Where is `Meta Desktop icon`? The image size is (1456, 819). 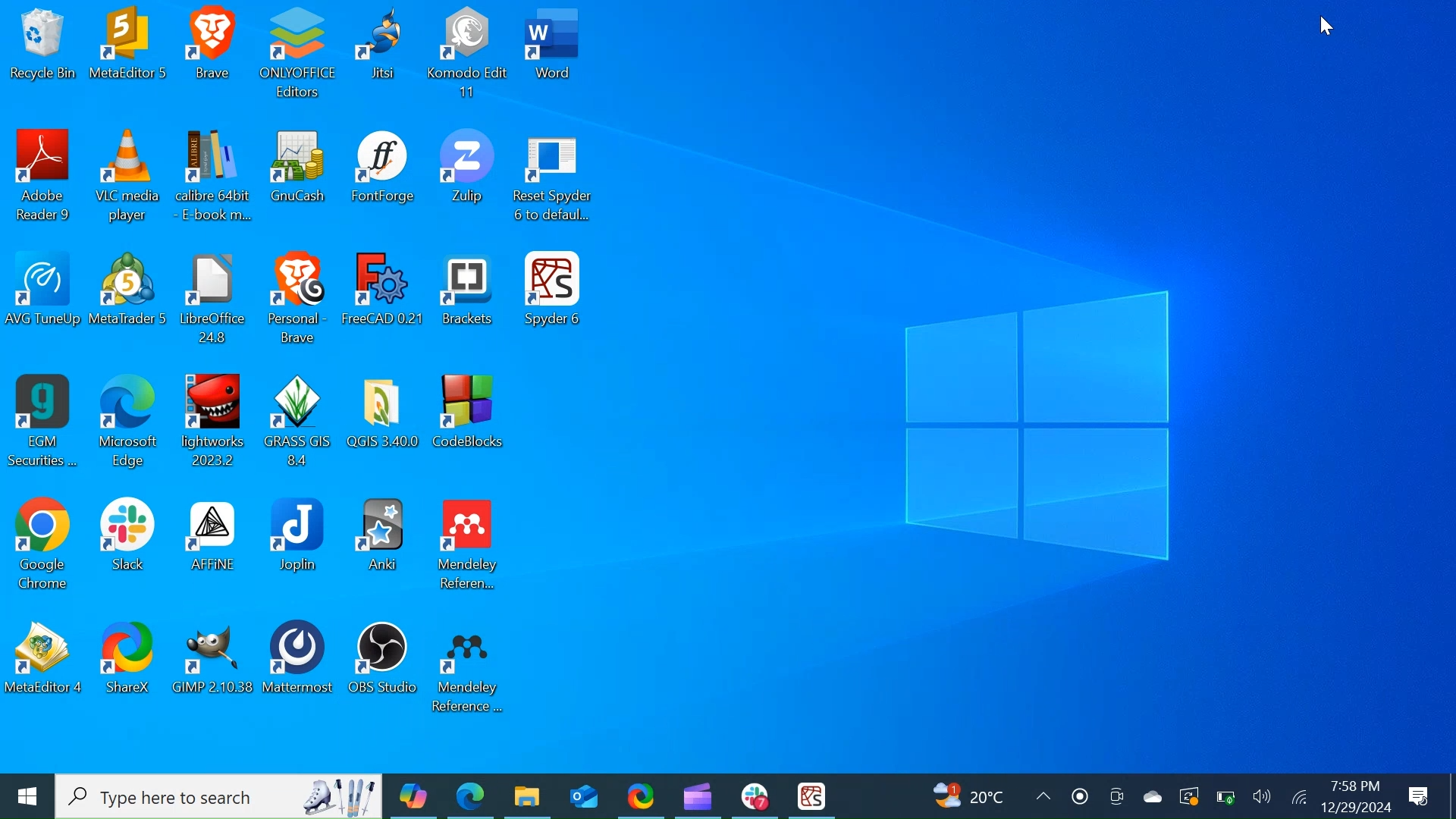
Meta Desktop icon is located at coordinates (129, 52).